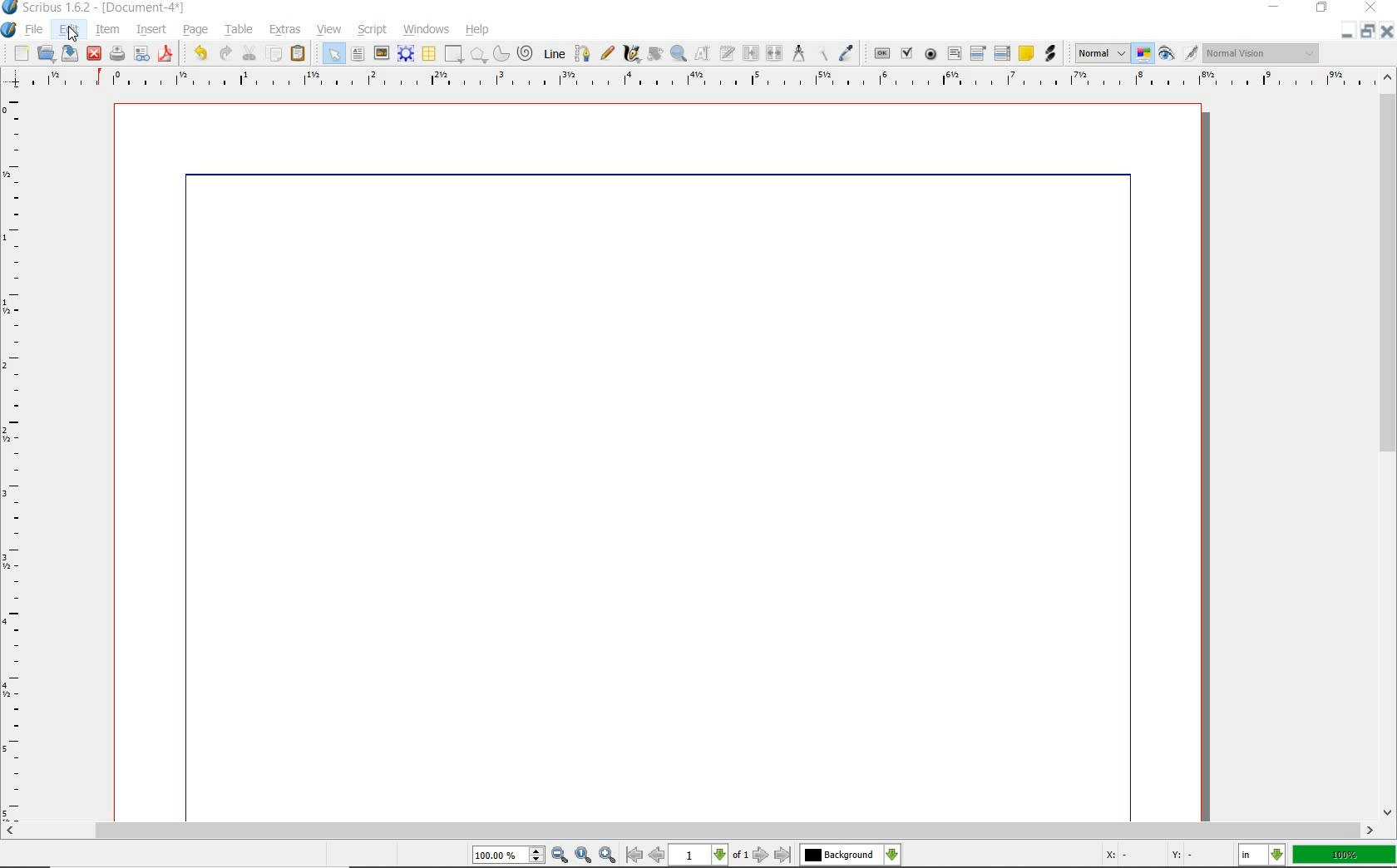 The width and height of the screenshot is (1397, 868). I want to click on zoom in or zoom out, so click(679, 53).